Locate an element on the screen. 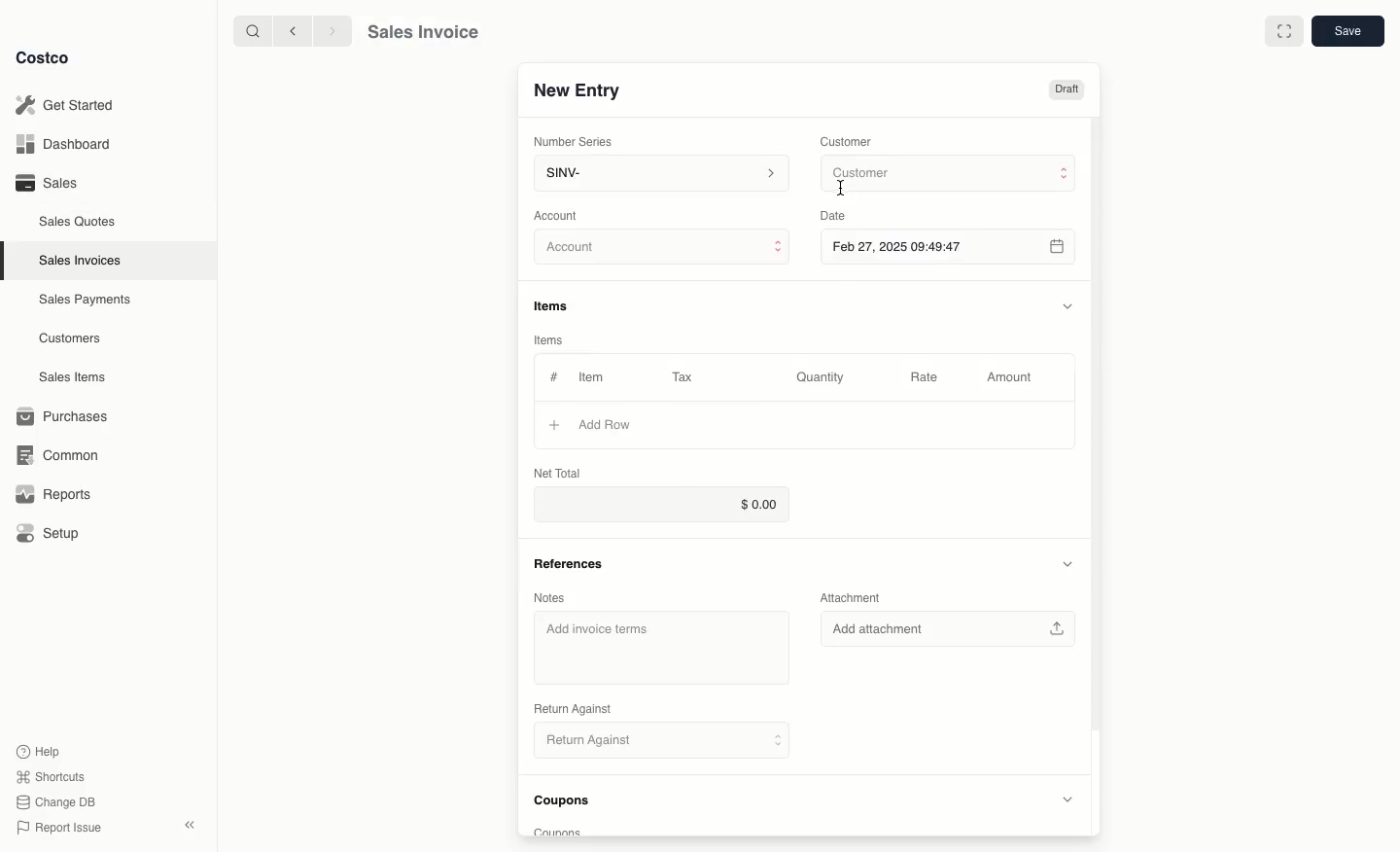 This screenshot has width=1400, height=852. Sales Quotes is located at coordinates (79, 221).